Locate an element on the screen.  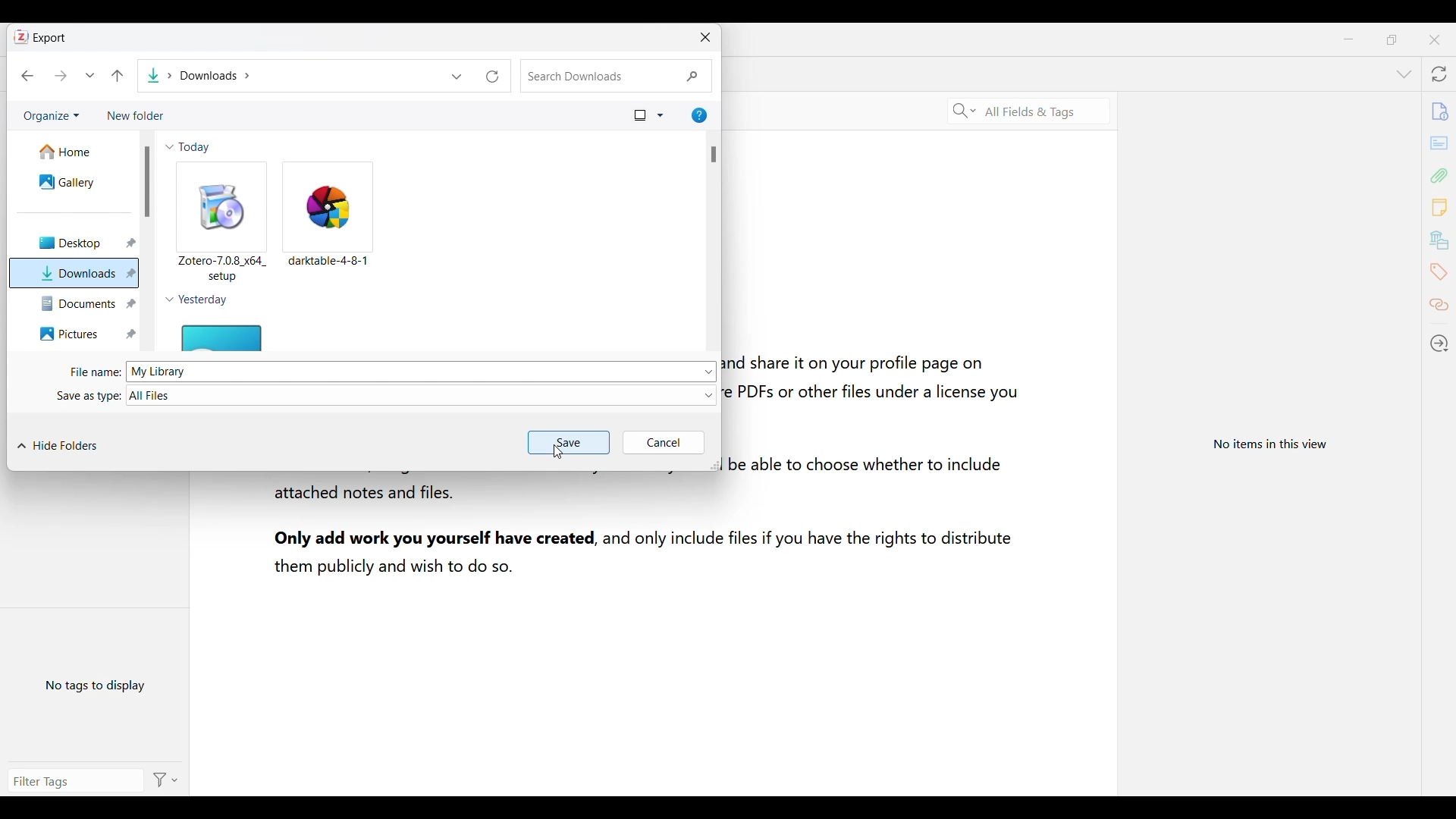
Export is located at coordinates (41, 37).